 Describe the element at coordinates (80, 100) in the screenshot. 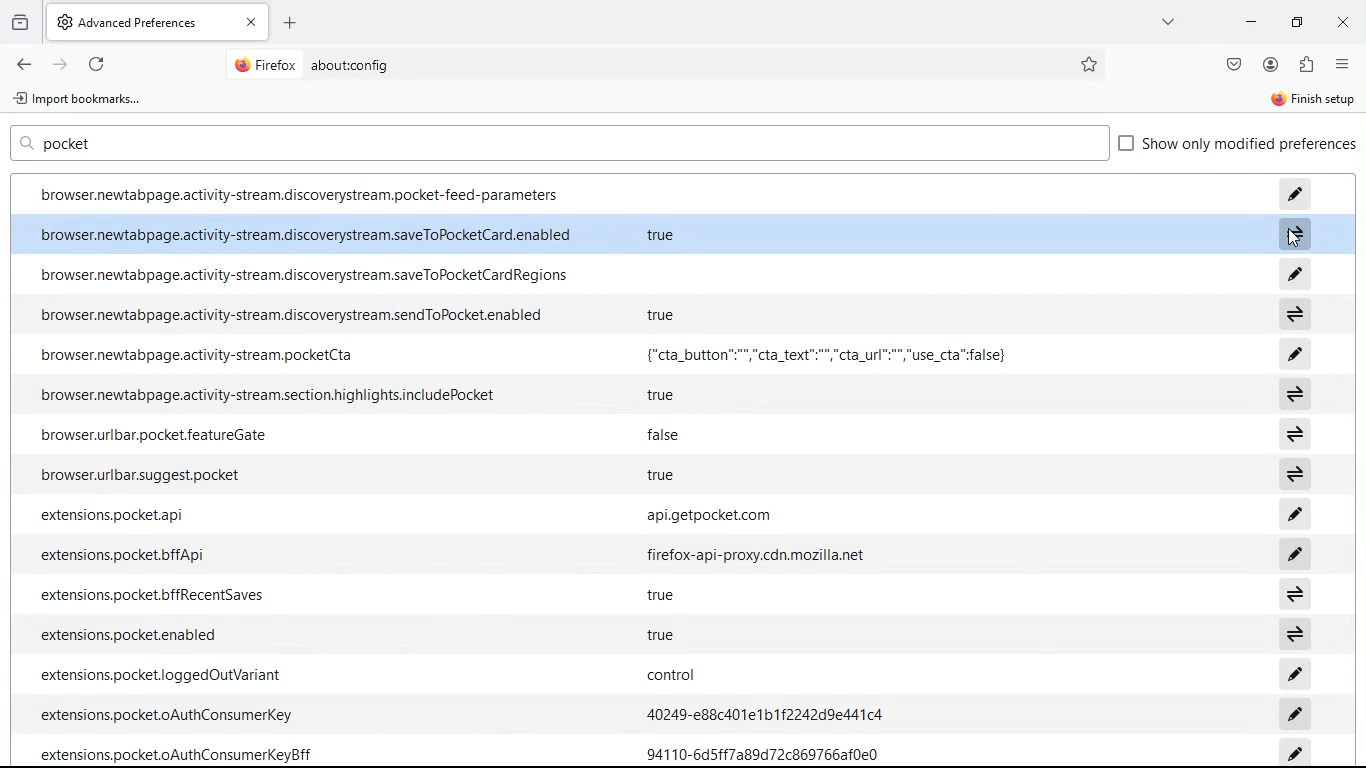

I see `import bookmarks` at that location.